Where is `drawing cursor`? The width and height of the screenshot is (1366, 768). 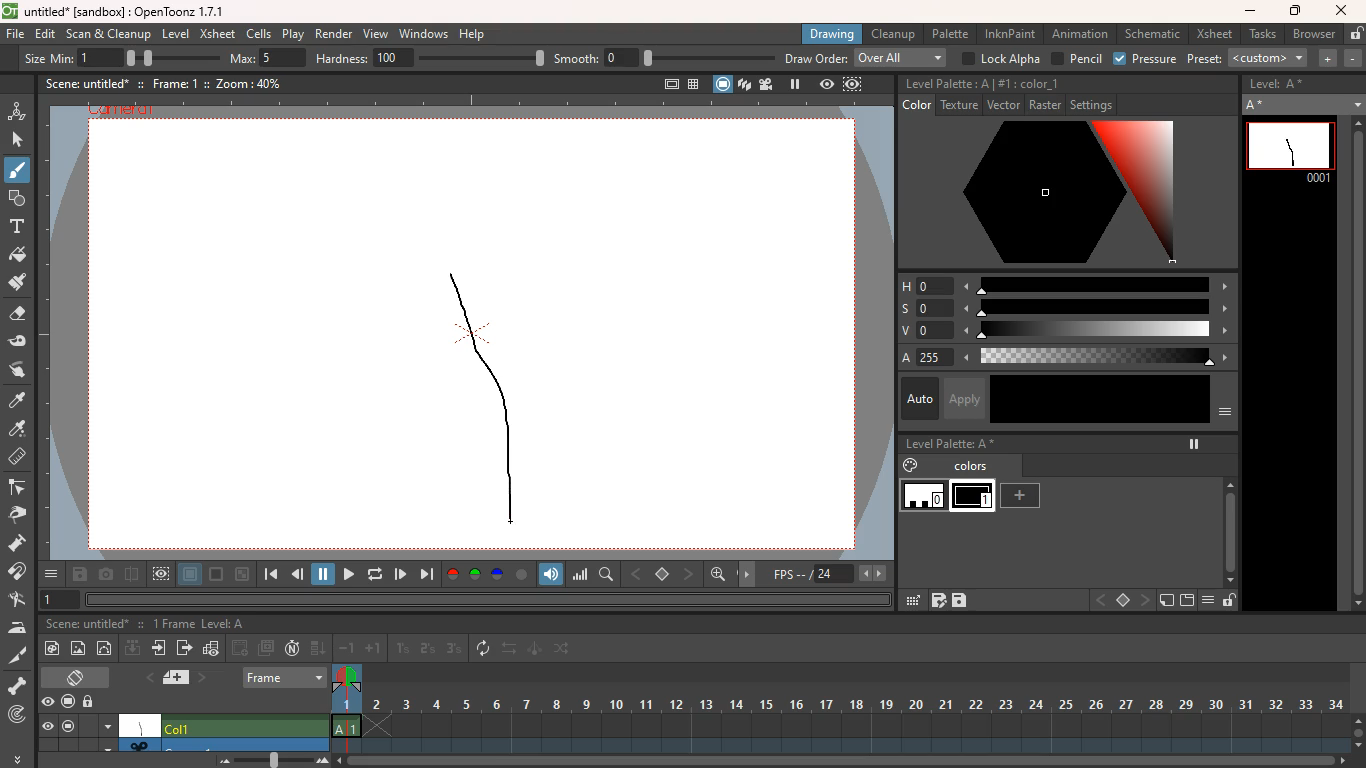
drawing cursor is located at coordinates (509, 518).